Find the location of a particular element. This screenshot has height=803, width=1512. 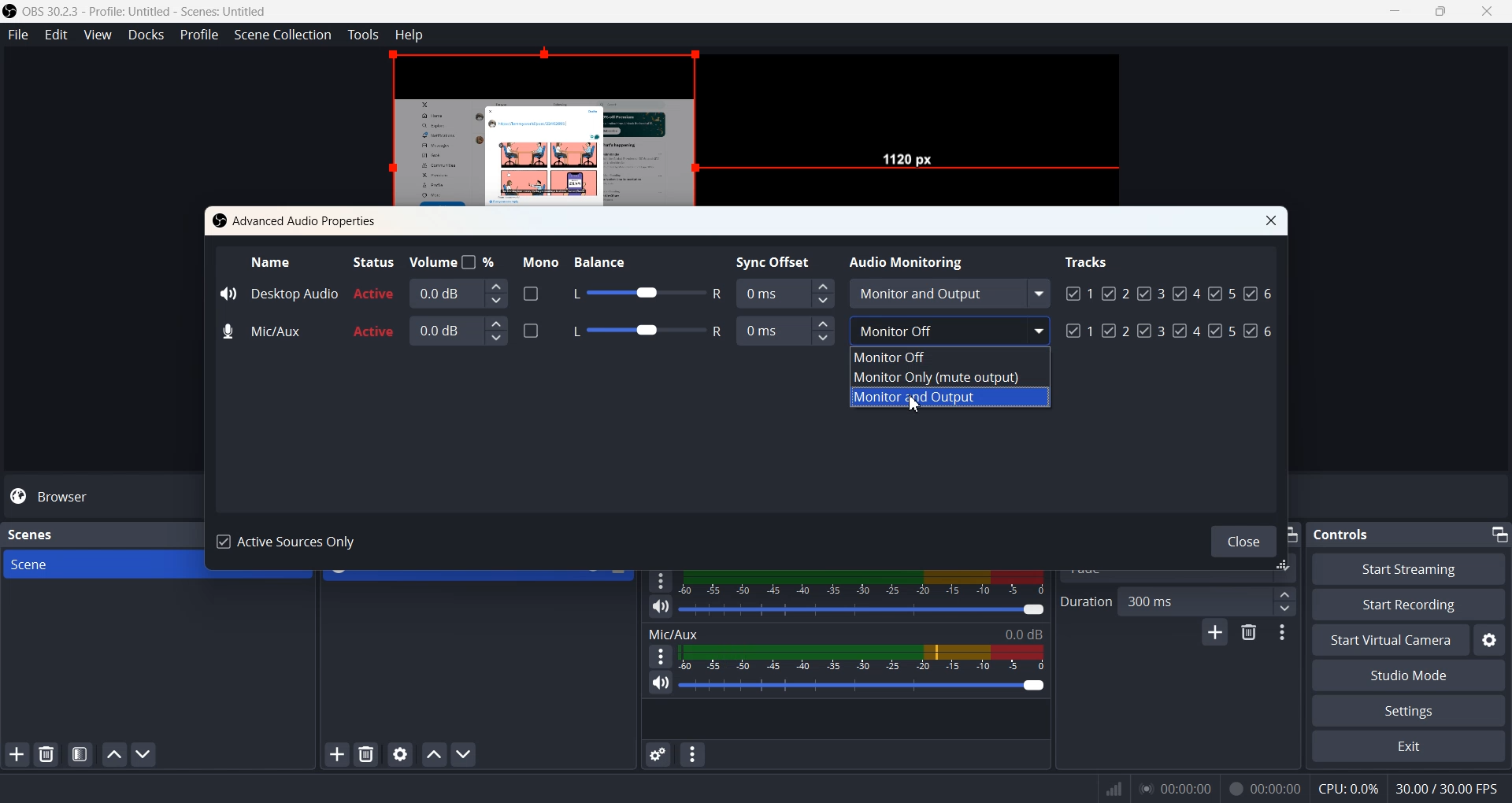

Audio mixer menu is located at coordinates (694, 754).